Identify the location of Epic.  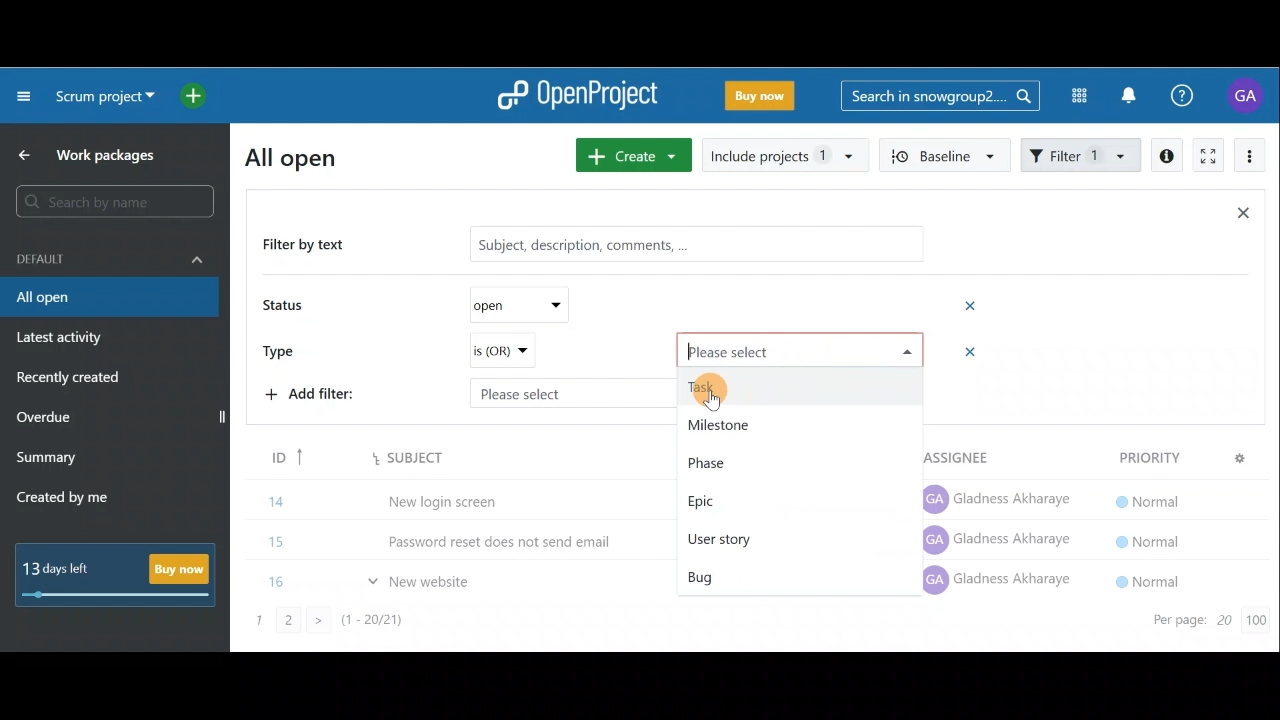
(788, 500).